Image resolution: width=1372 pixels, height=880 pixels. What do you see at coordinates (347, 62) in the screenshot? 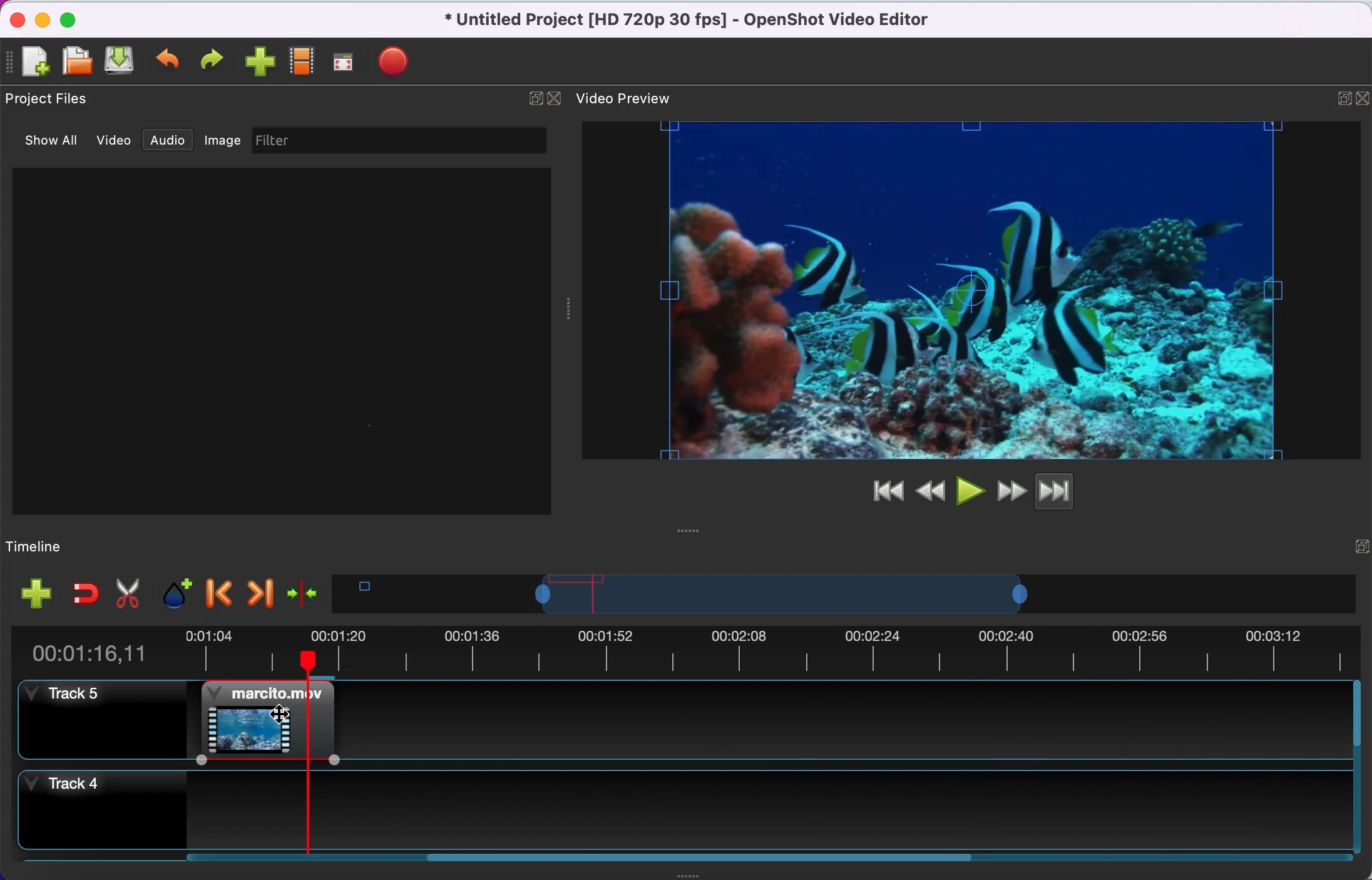
I see `full screen` at bounding box center [347, 62].